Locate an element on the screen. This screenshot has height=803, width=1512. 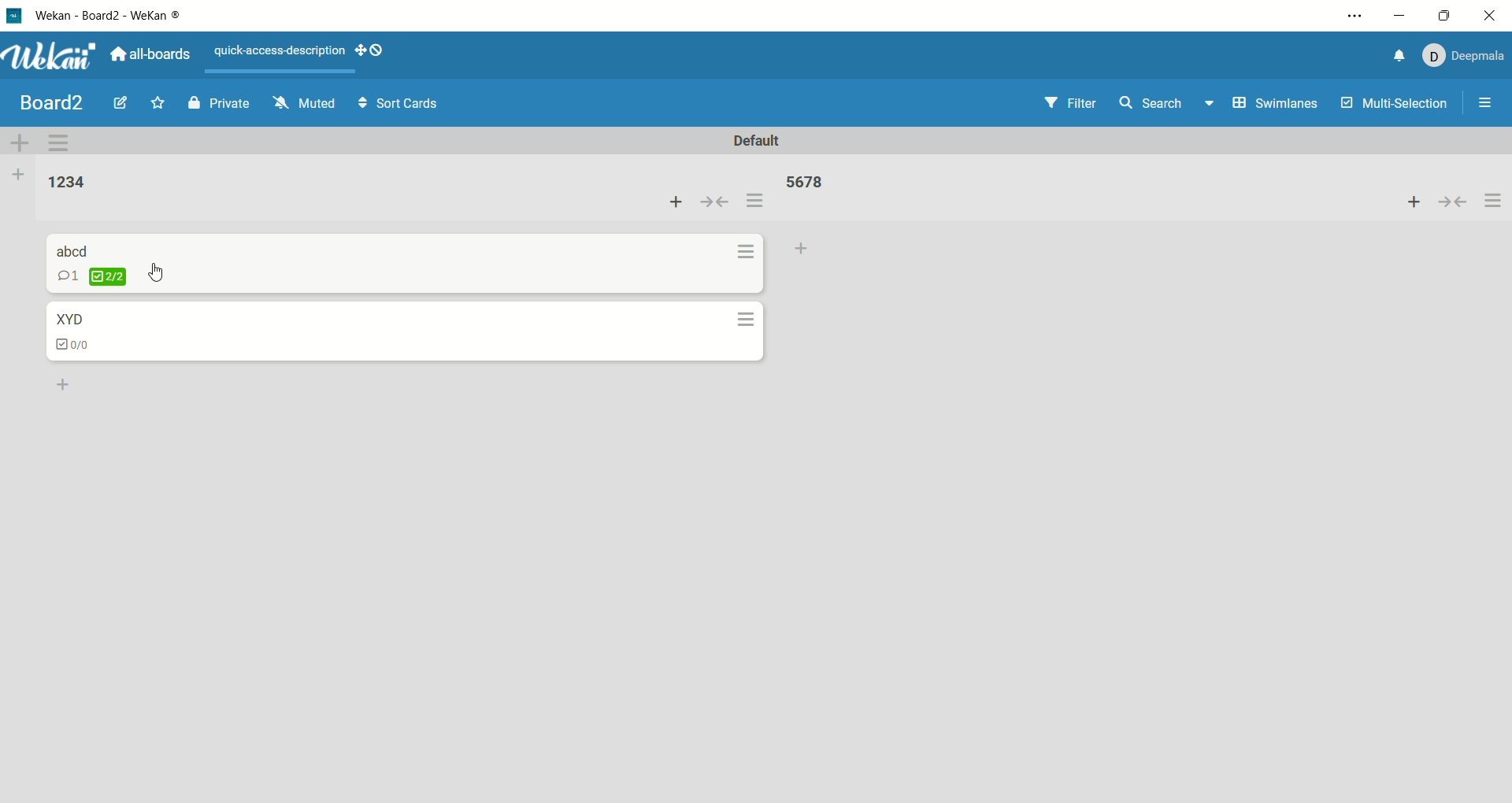
add list is located at coordinates (16, 178).